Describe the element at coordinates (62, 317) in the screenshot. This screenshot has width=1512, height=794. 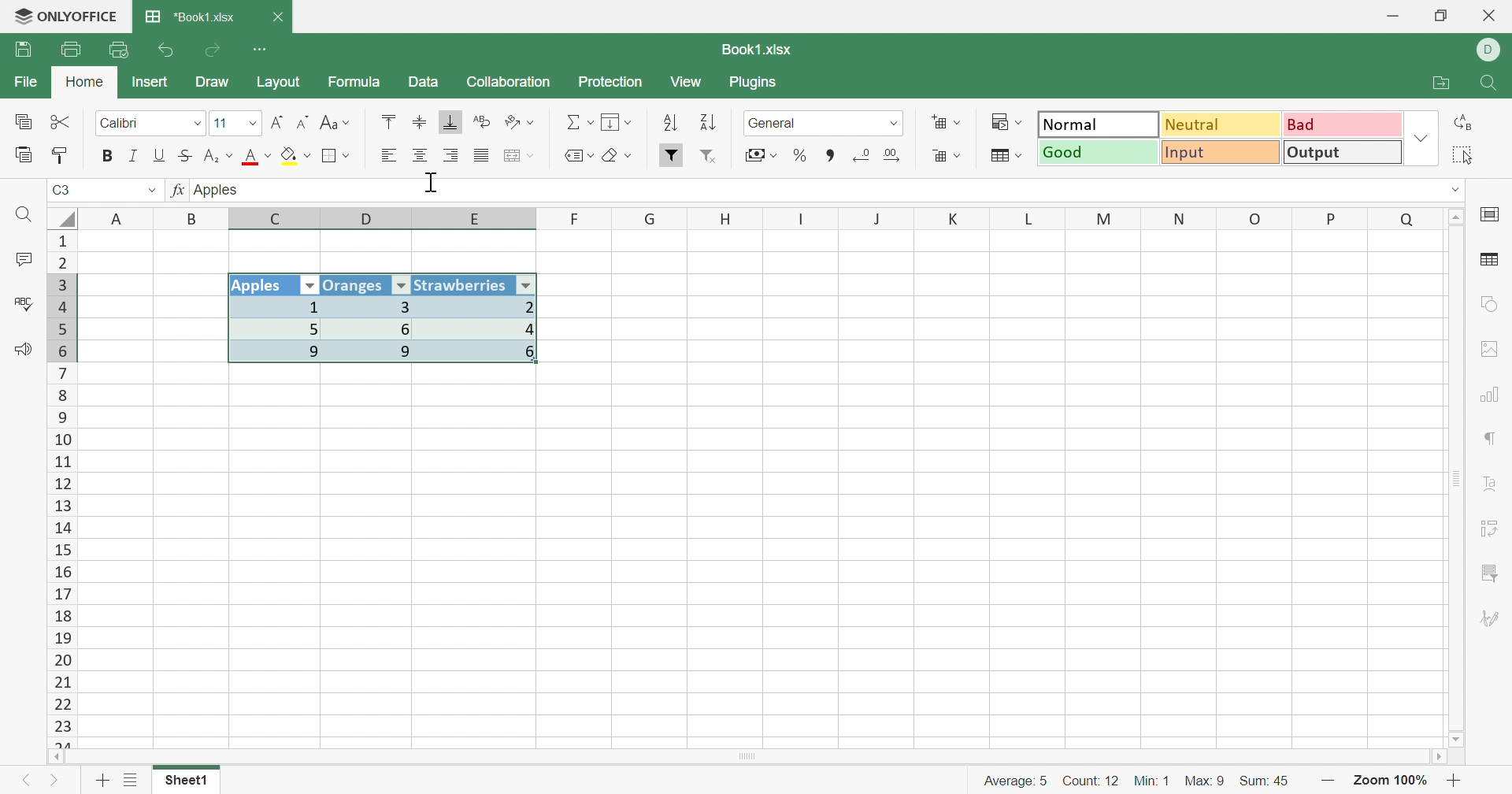
I see `Row numbers 3, 4, 5, 6 and 7 highlighted` at that location.